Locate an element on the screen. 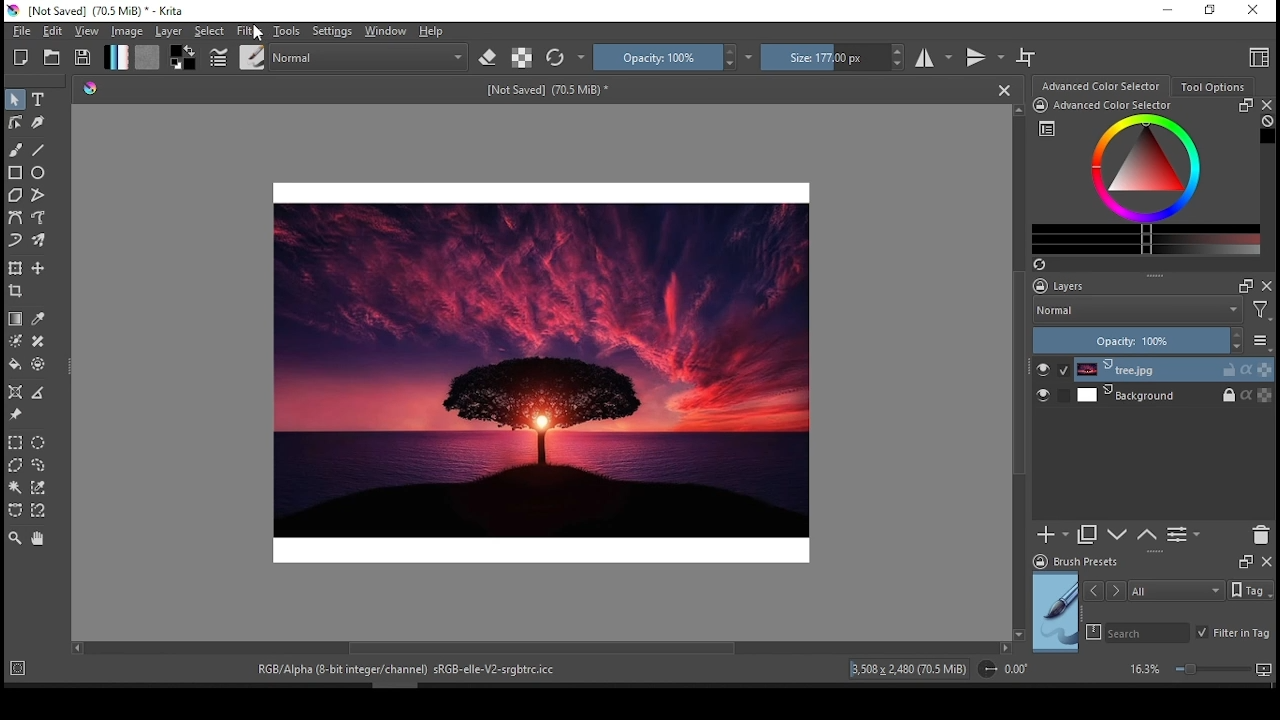 Image resolution: width=1280 pixels, height=720 pixels. colorize mask tool is located at coordinates (16, 341).